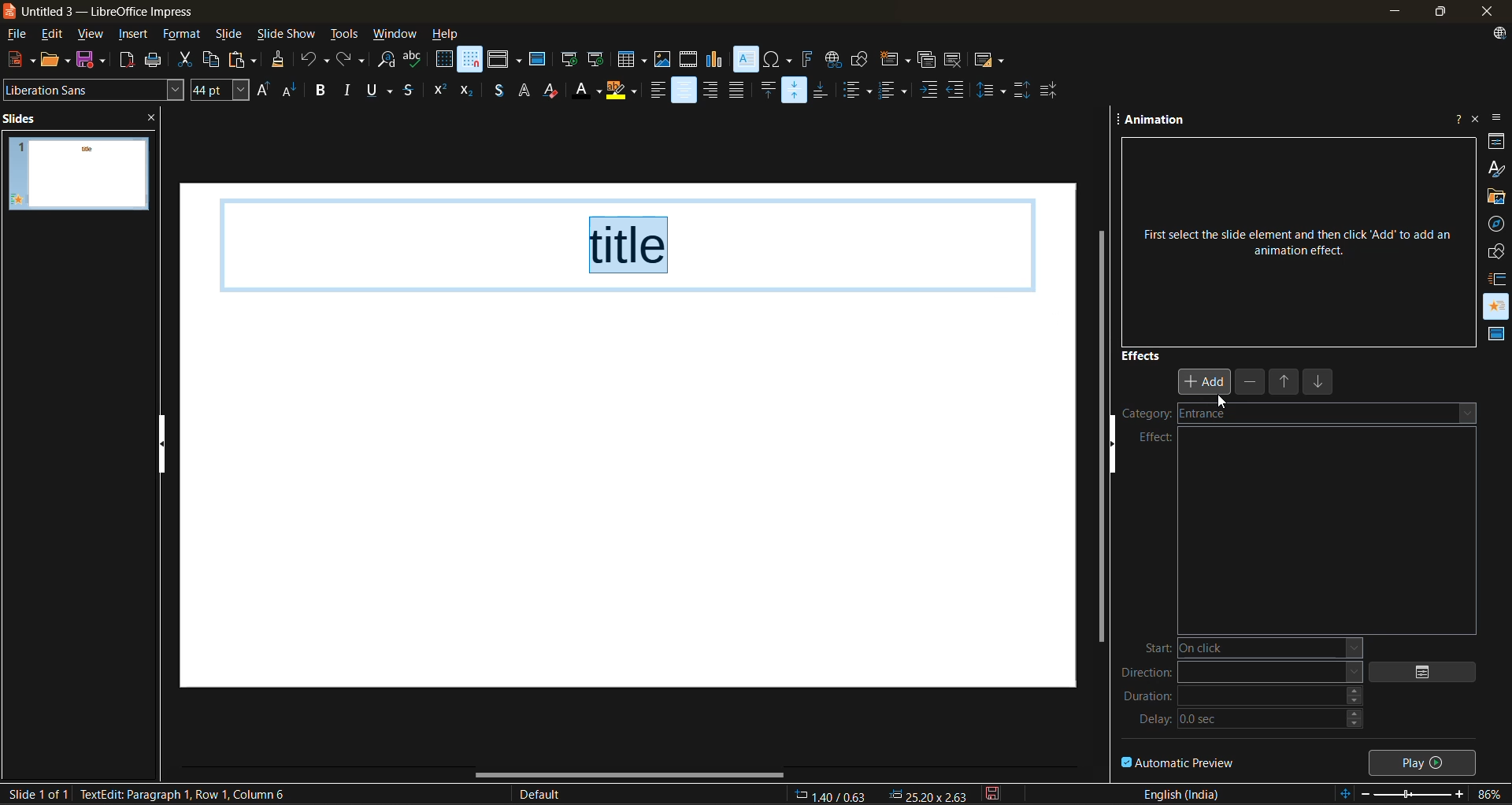 This screenshot has height=805, width=1512. Describe the element at coordinates (439, 88) in the screenshot. I see `superscript` at that location.